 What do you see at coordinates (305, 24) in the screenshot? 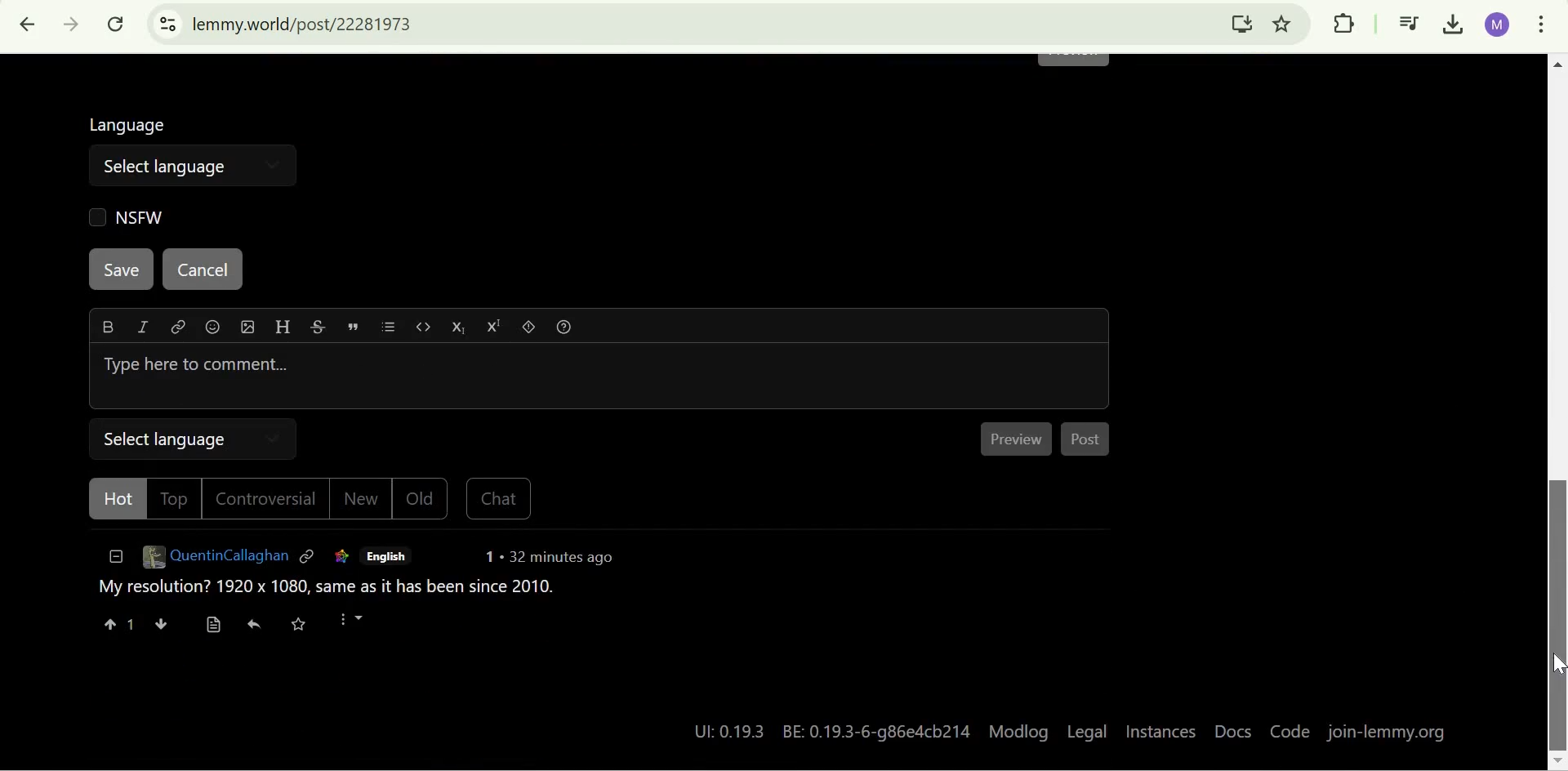
I see `lemmy.world/post/22281973` at bounding box center [305, 24].